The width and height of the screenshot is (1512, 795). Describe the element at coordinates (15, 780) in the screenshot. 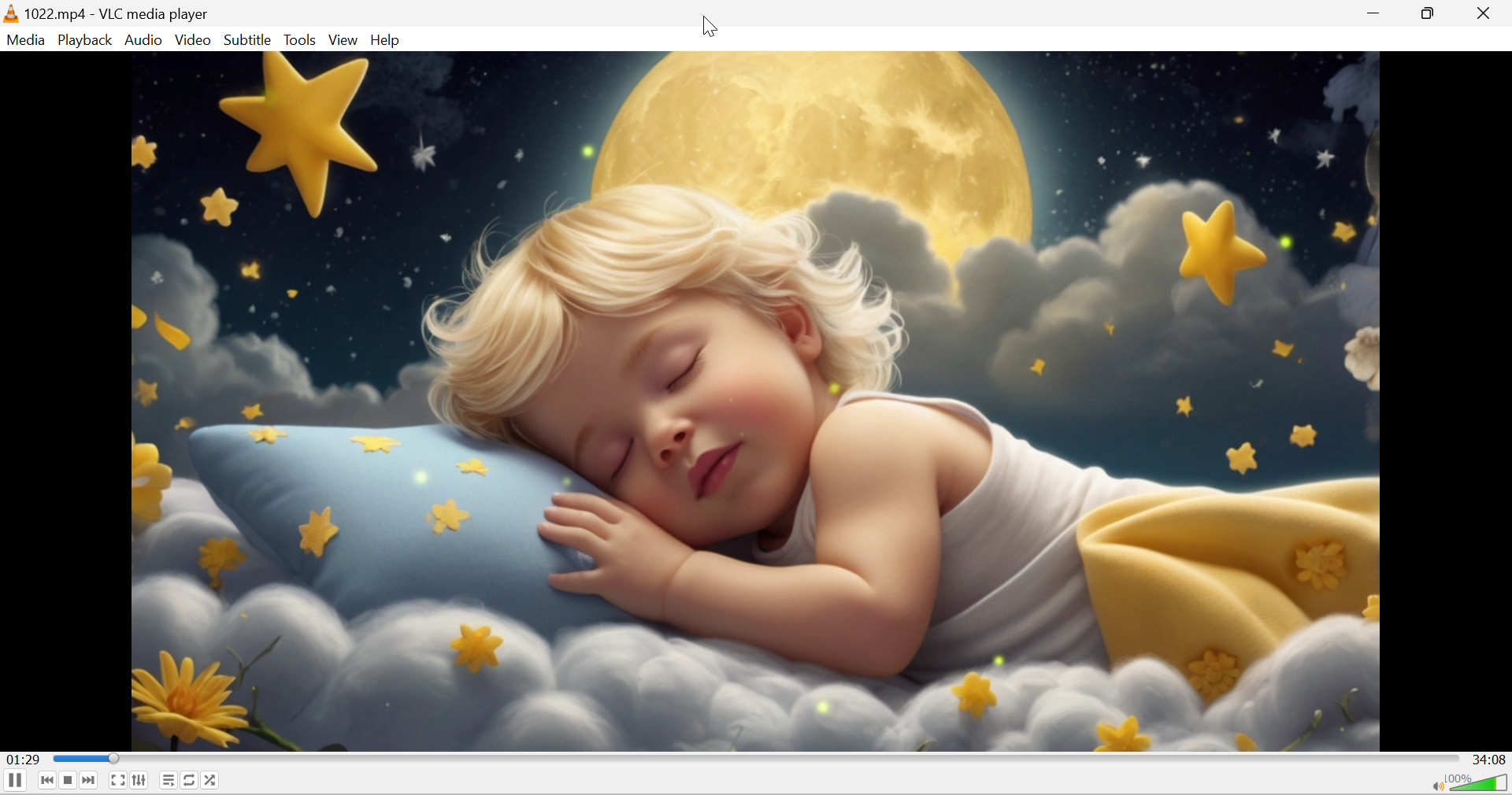

I see `Pause the playback` at that location.